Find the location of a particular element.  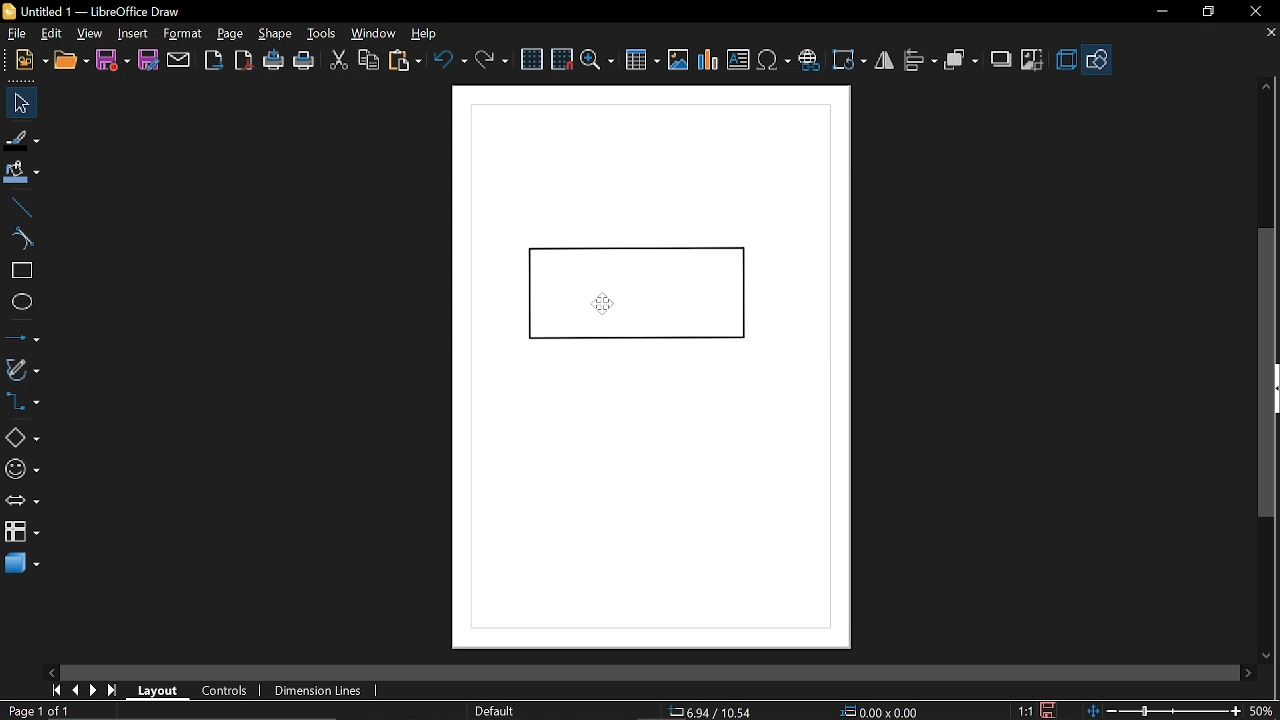

Current page (Page 1 of 1) is located at coordinates (37, 710).